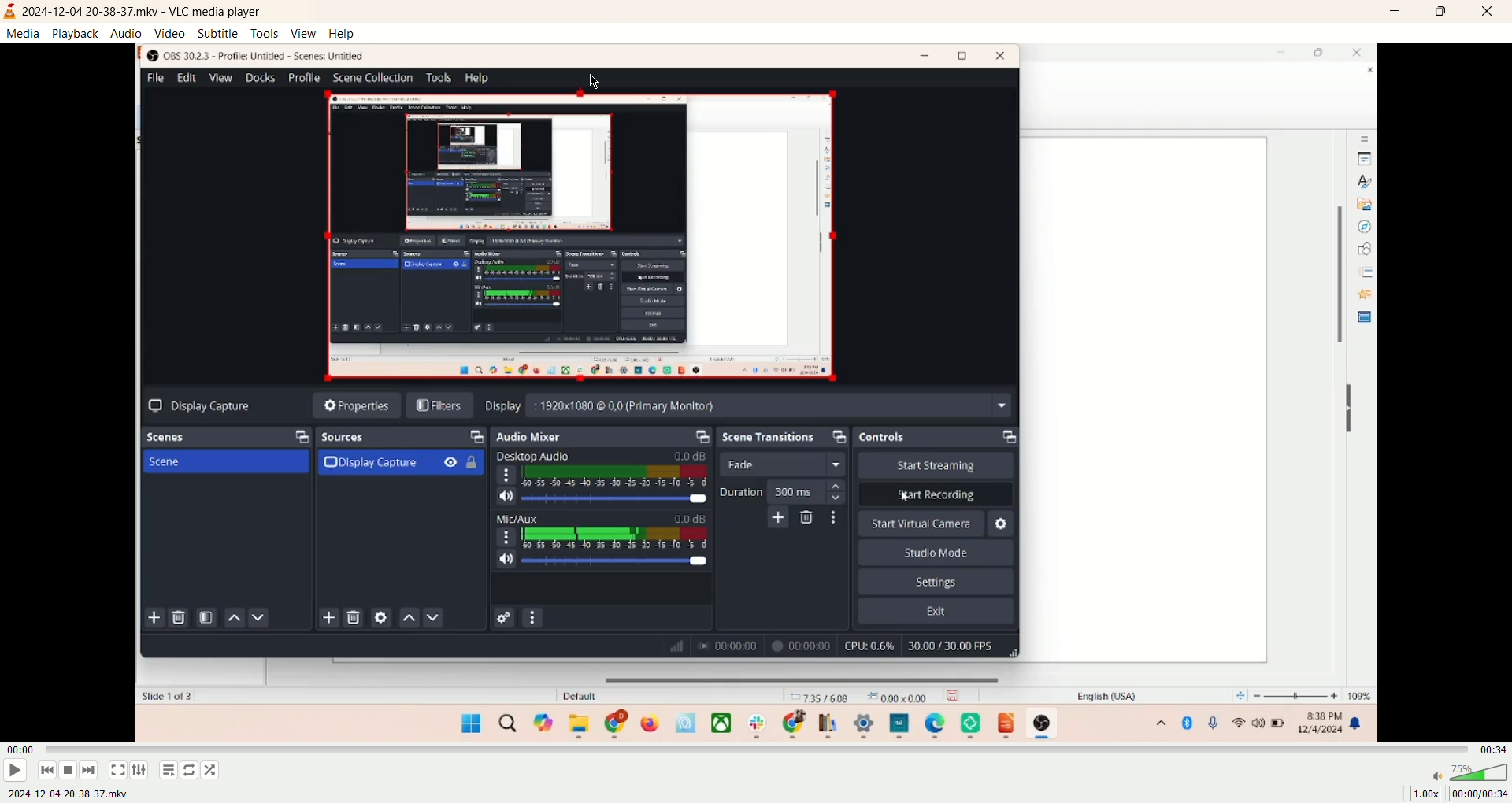 The image size is (1512, 803). Describe the element at coordinates (212, 770) in the screenshot. I see `shuffle` at that location.